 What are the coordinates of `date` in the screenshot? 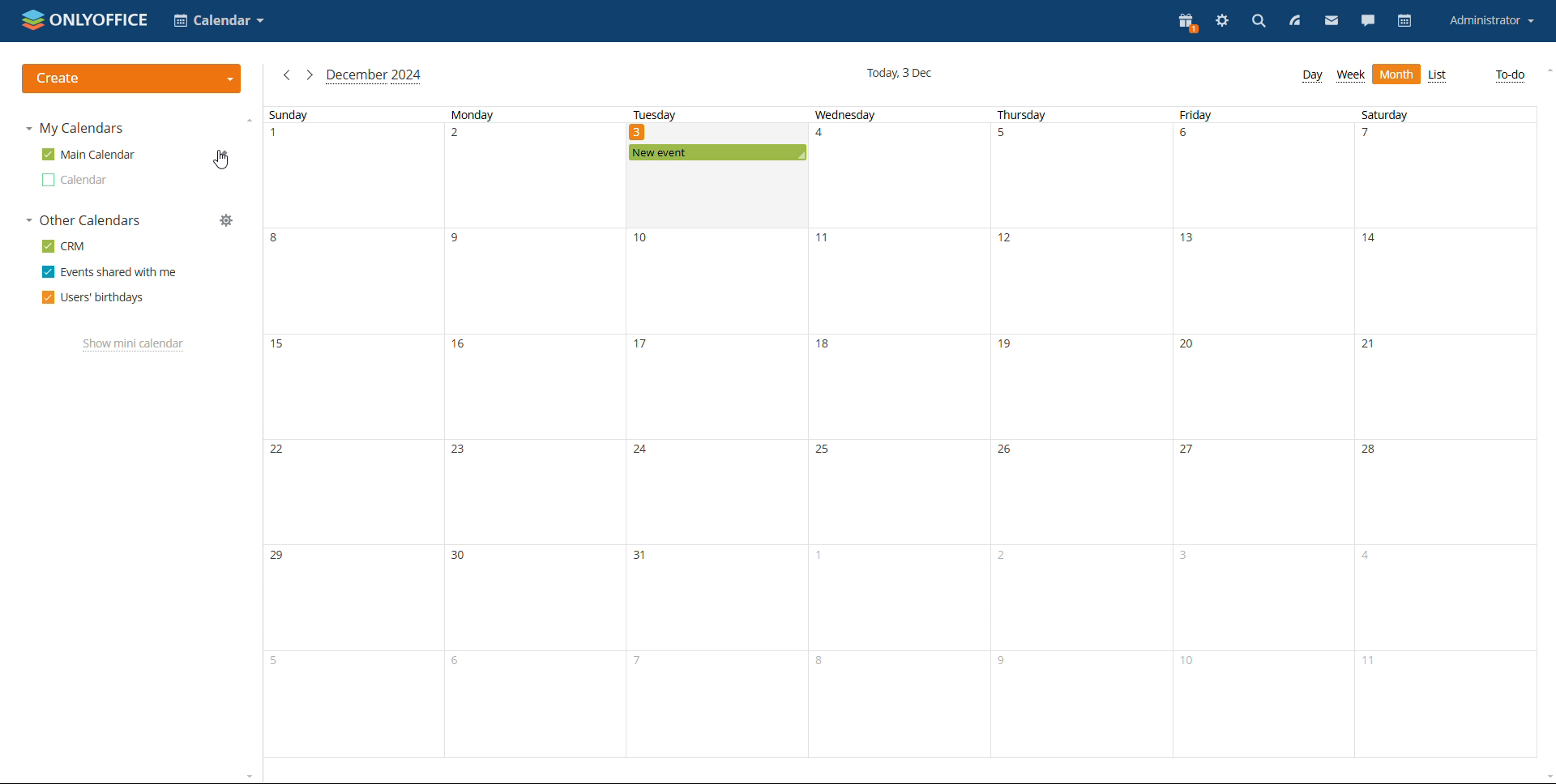 It's located at (718, 491).